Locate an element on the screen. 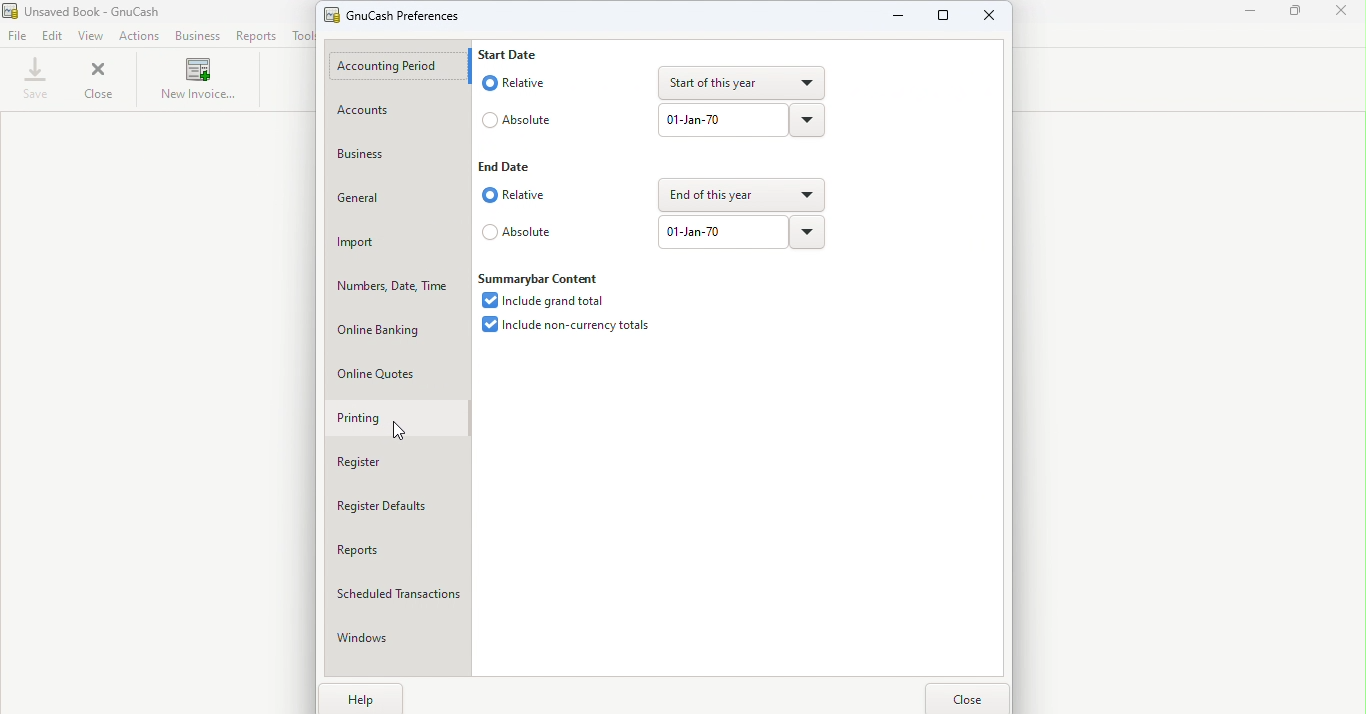  01-jan-70 is located at coordinates (724, 232).